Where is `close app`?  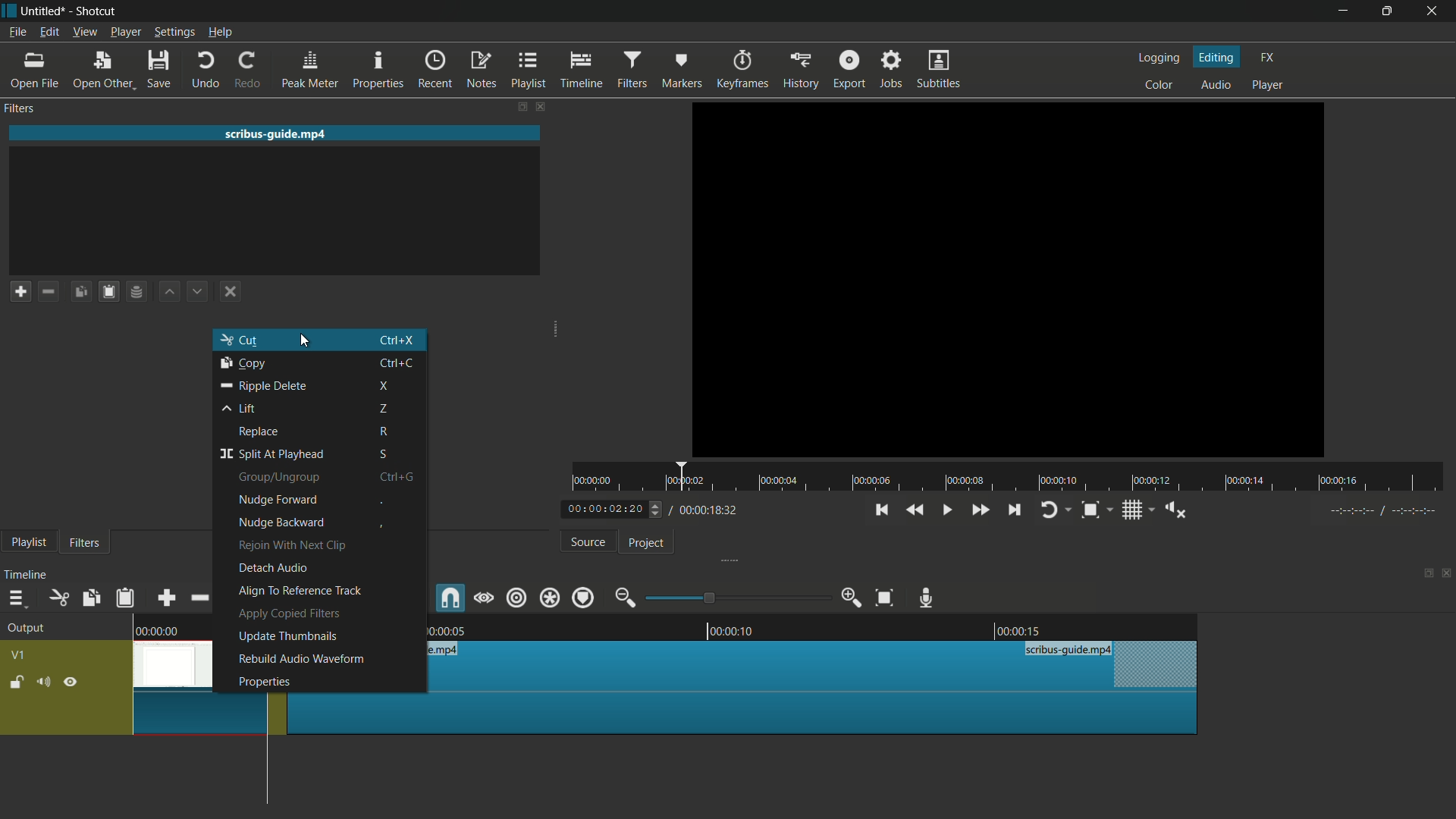 close app is located at coordinates (1436, 11).